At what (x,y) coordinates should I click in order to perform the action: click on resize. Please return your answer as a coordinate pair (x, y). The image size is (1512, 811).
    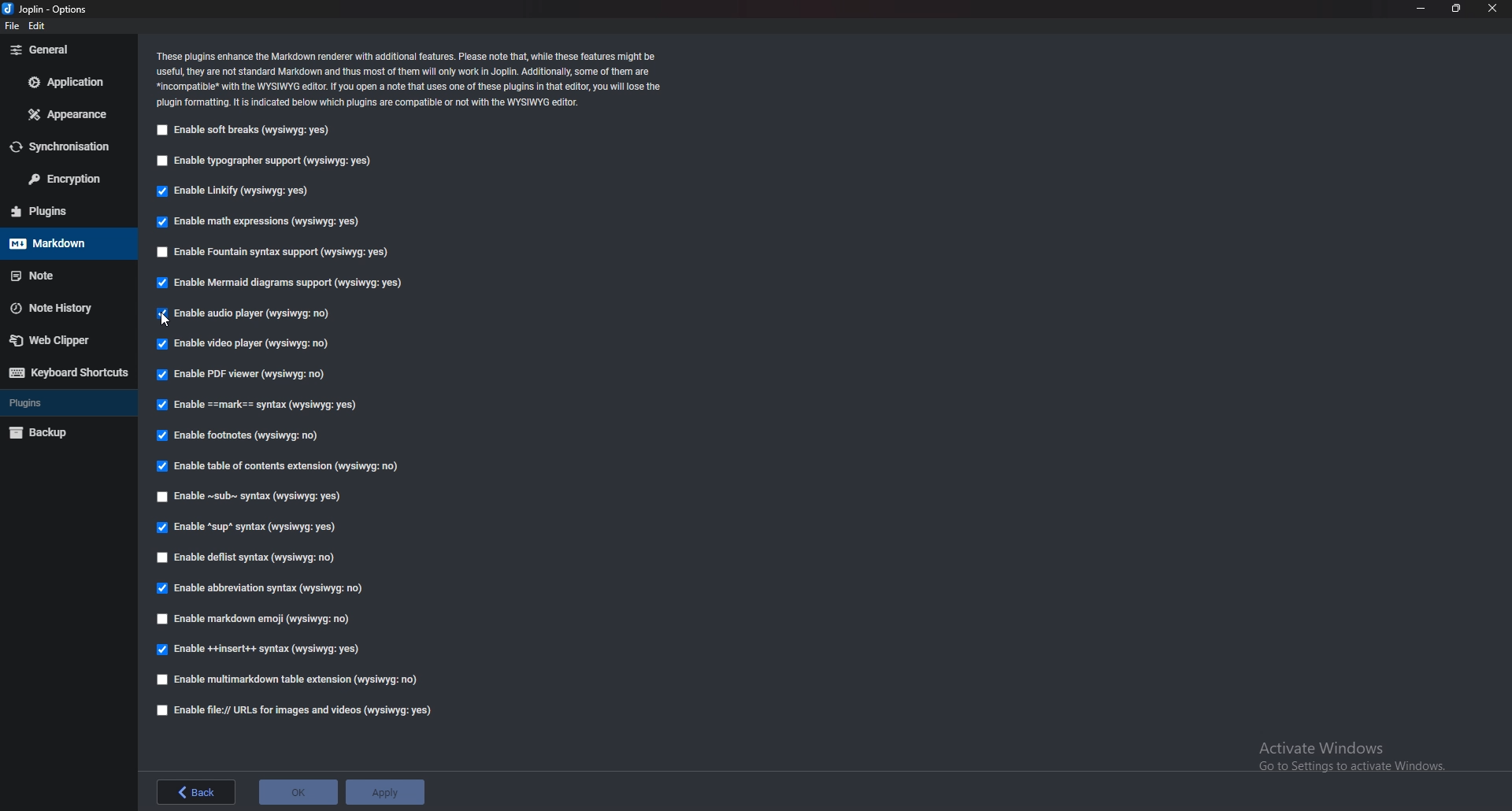
    Looking at the image, I should click on (1455, 9).